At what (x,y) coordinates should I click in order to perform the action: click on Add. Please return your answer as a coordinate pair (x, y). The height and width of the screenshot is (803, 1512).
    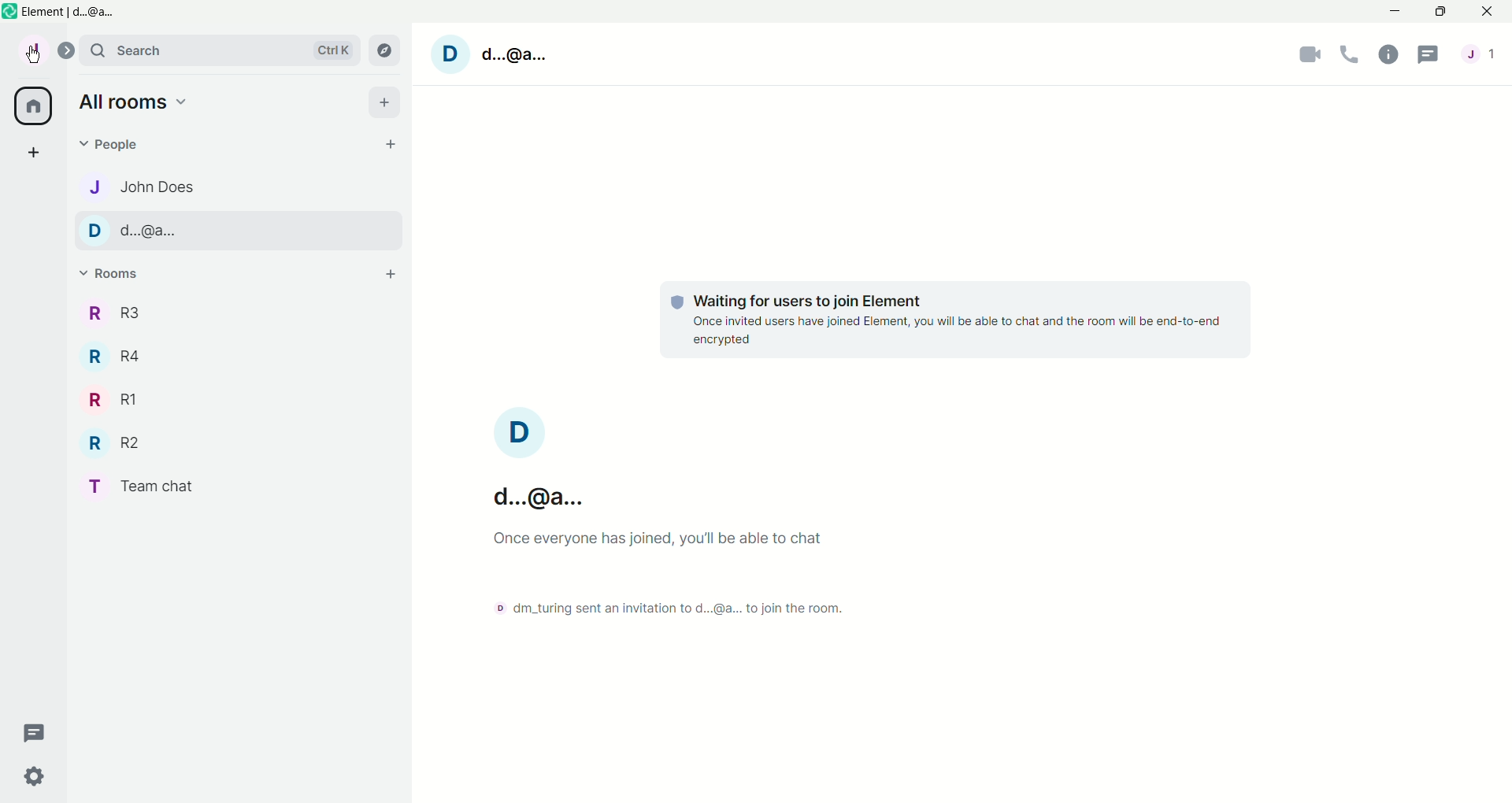
    Looking at the image, I should click on (384, 102).